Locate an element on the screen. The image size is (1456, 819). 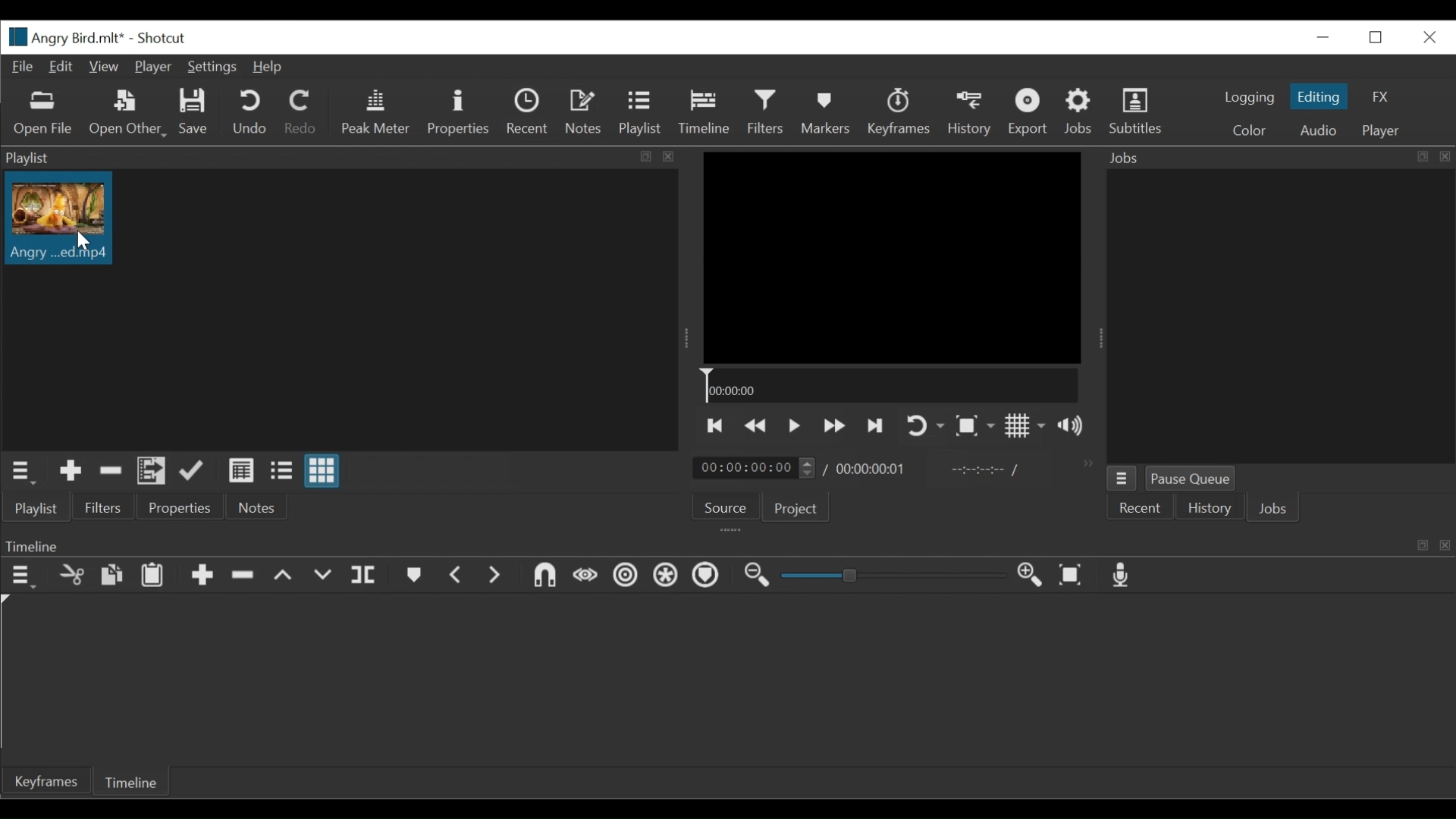
Scrub while dragging is located at coordinates (708, 576).